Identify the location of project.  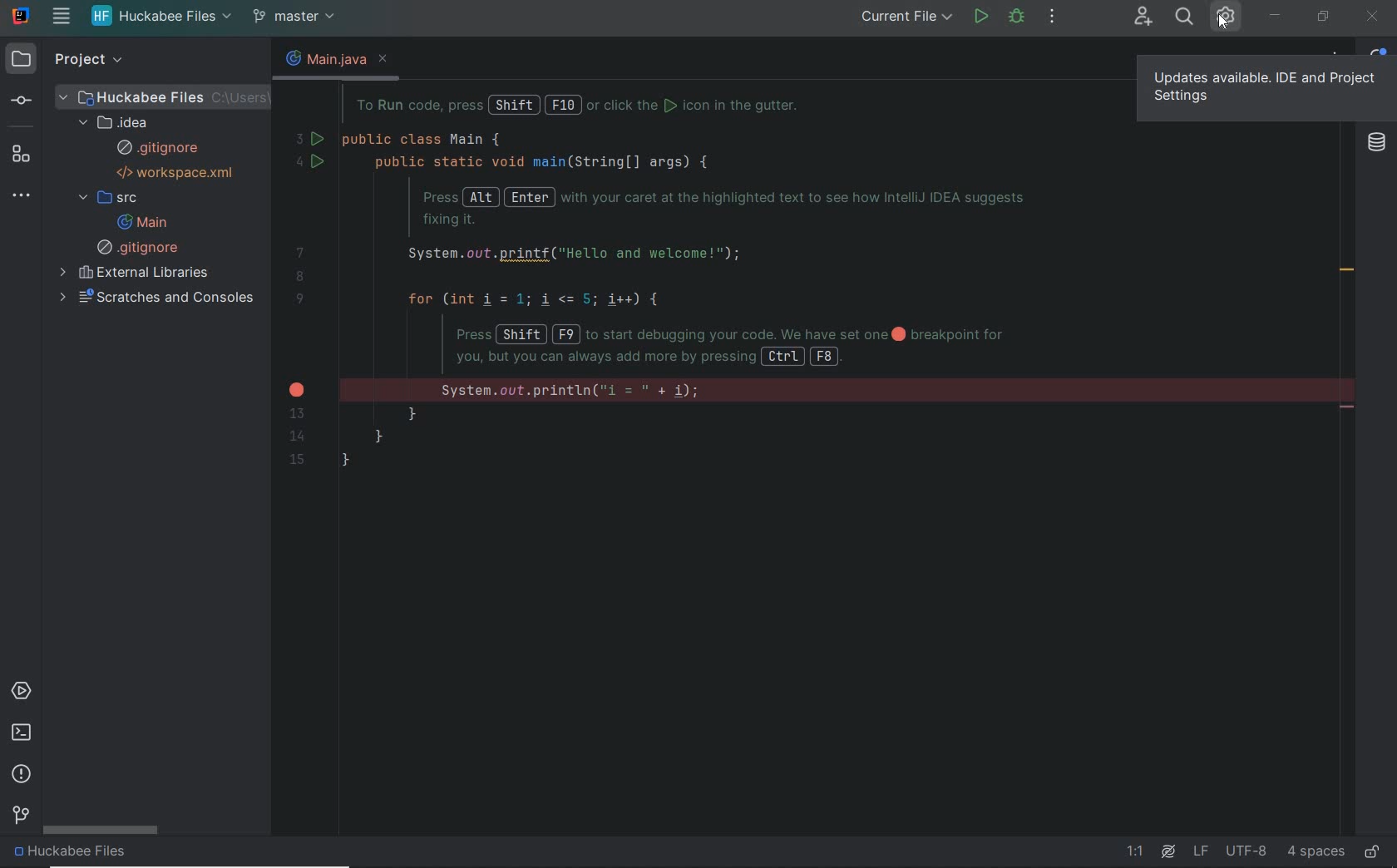
(22, 60).